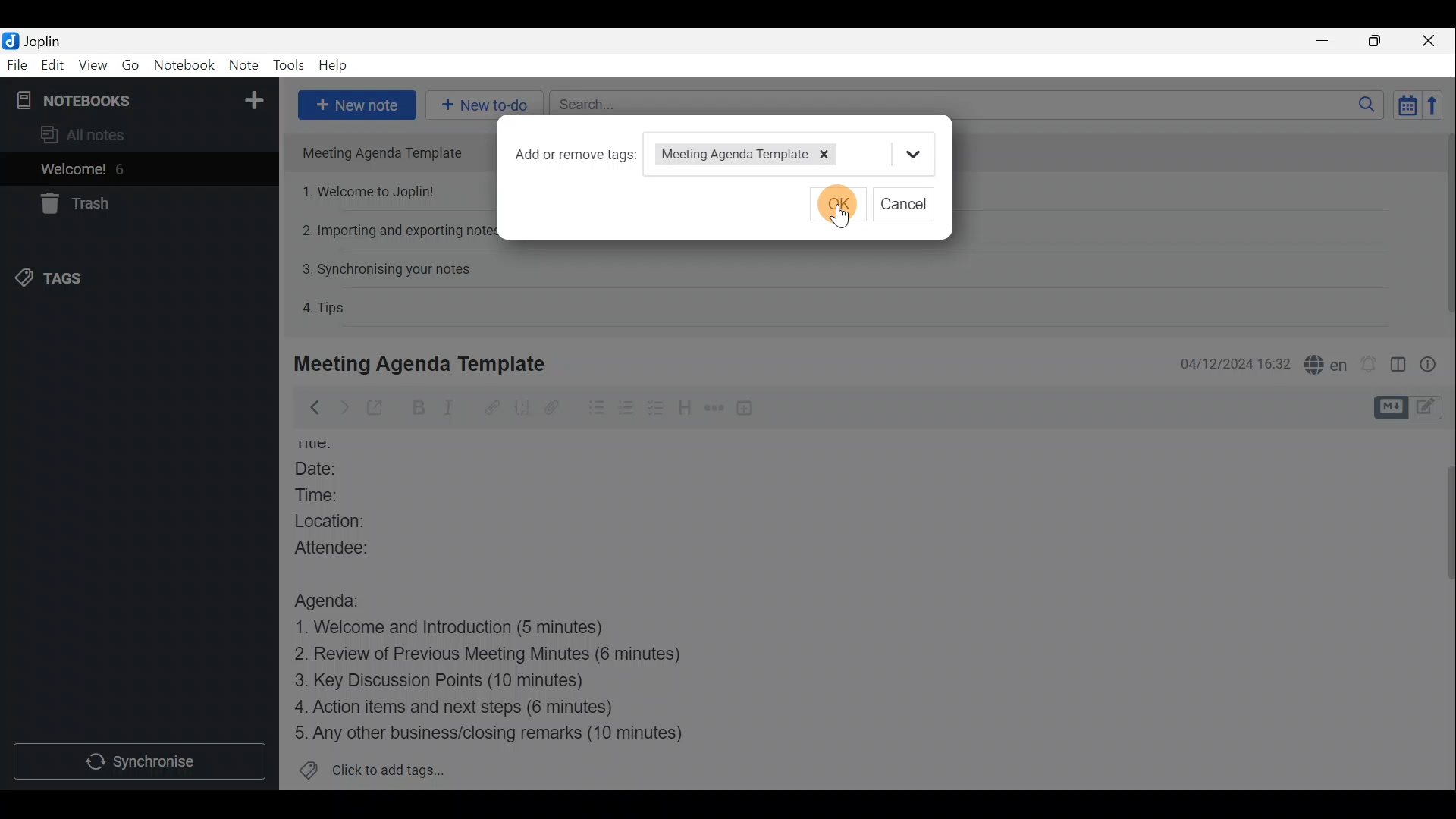 This screenshot has height=819, width=1456. I want to click on Location:, so click(348, 521).